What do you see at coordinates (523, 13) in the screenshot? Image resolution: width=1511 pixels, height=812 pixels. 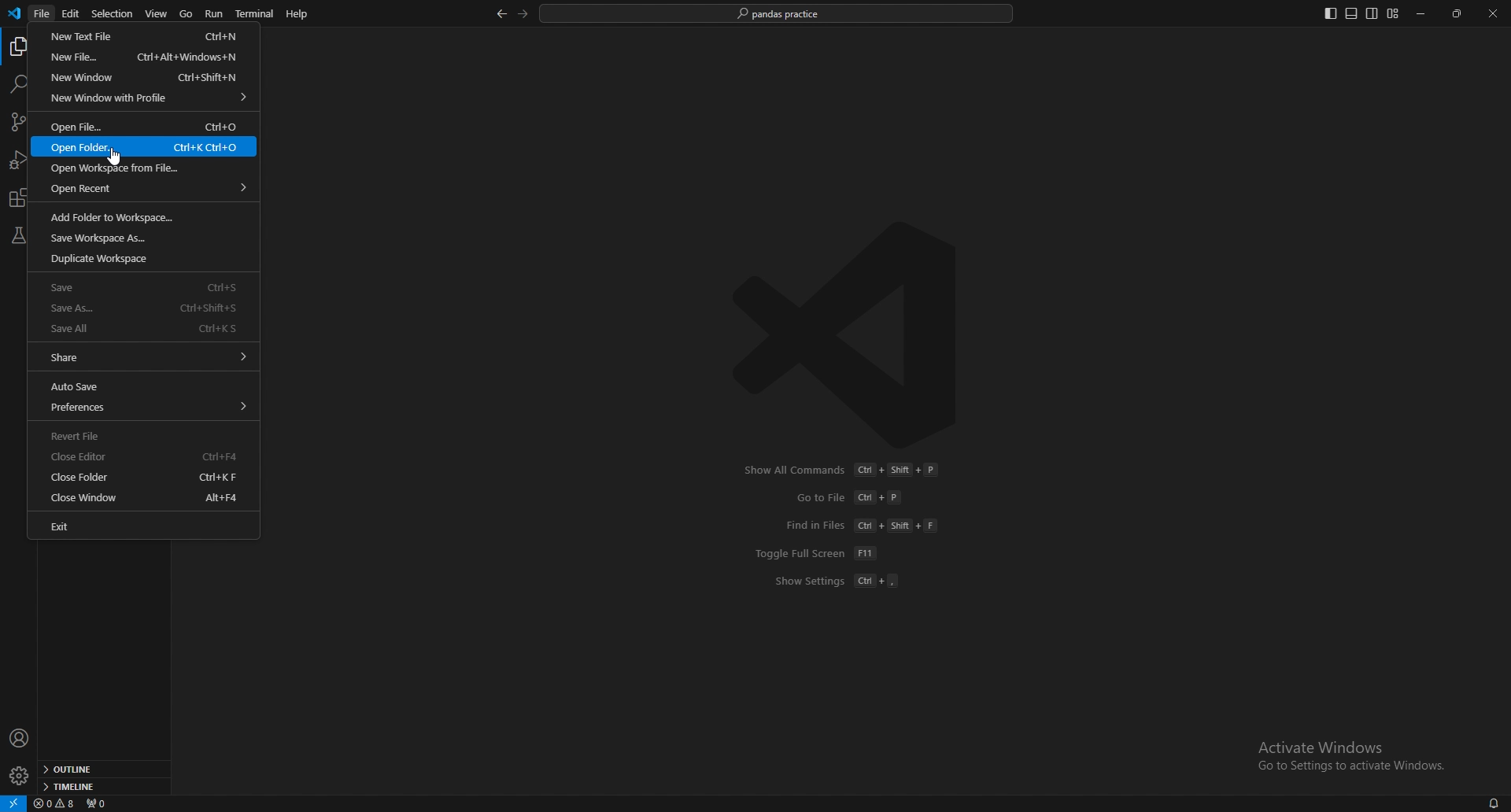 I see `forward` at bounding box center [523, 13].